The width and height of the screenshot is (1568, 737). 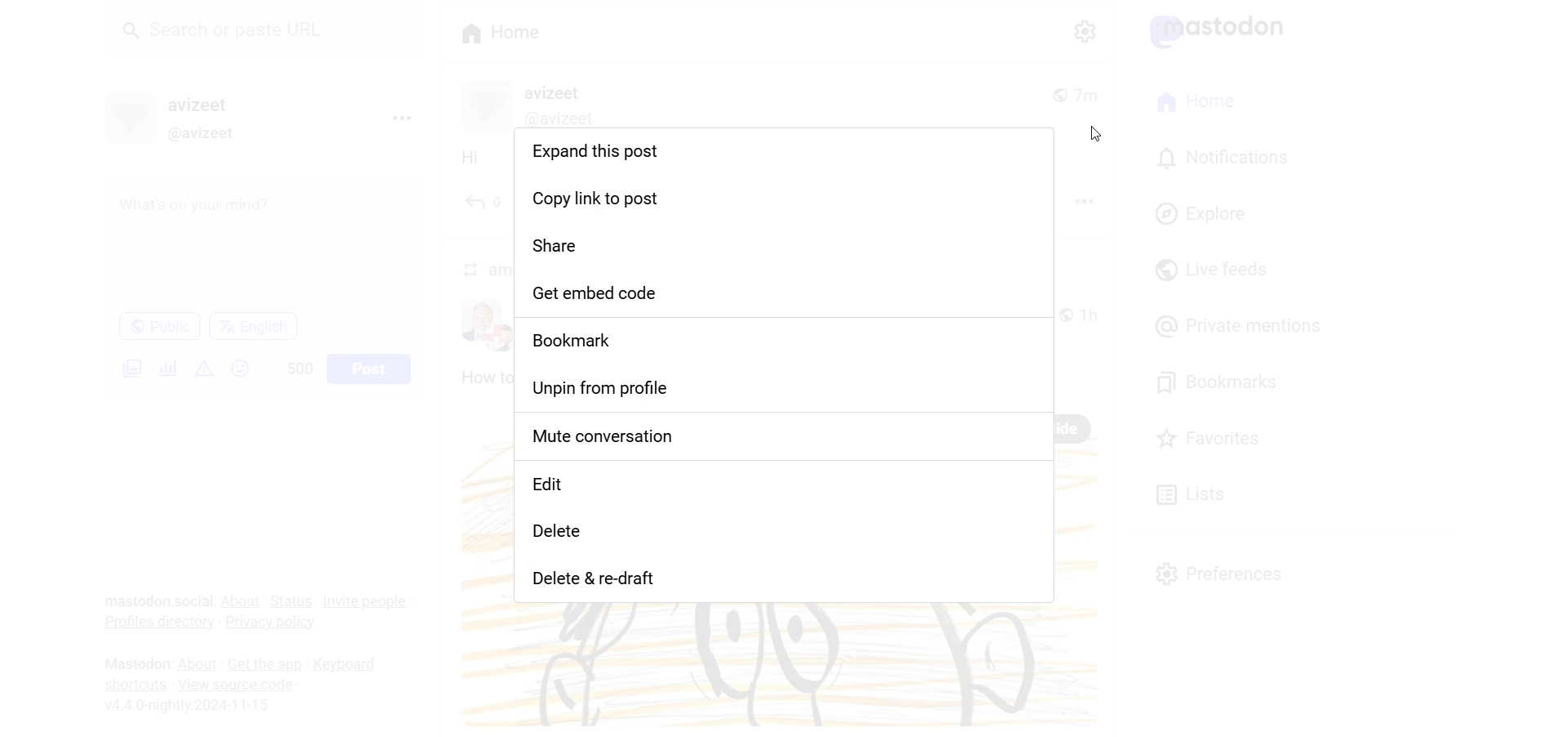 I want to click on Live Feeds, so click(x=1210, y=270).